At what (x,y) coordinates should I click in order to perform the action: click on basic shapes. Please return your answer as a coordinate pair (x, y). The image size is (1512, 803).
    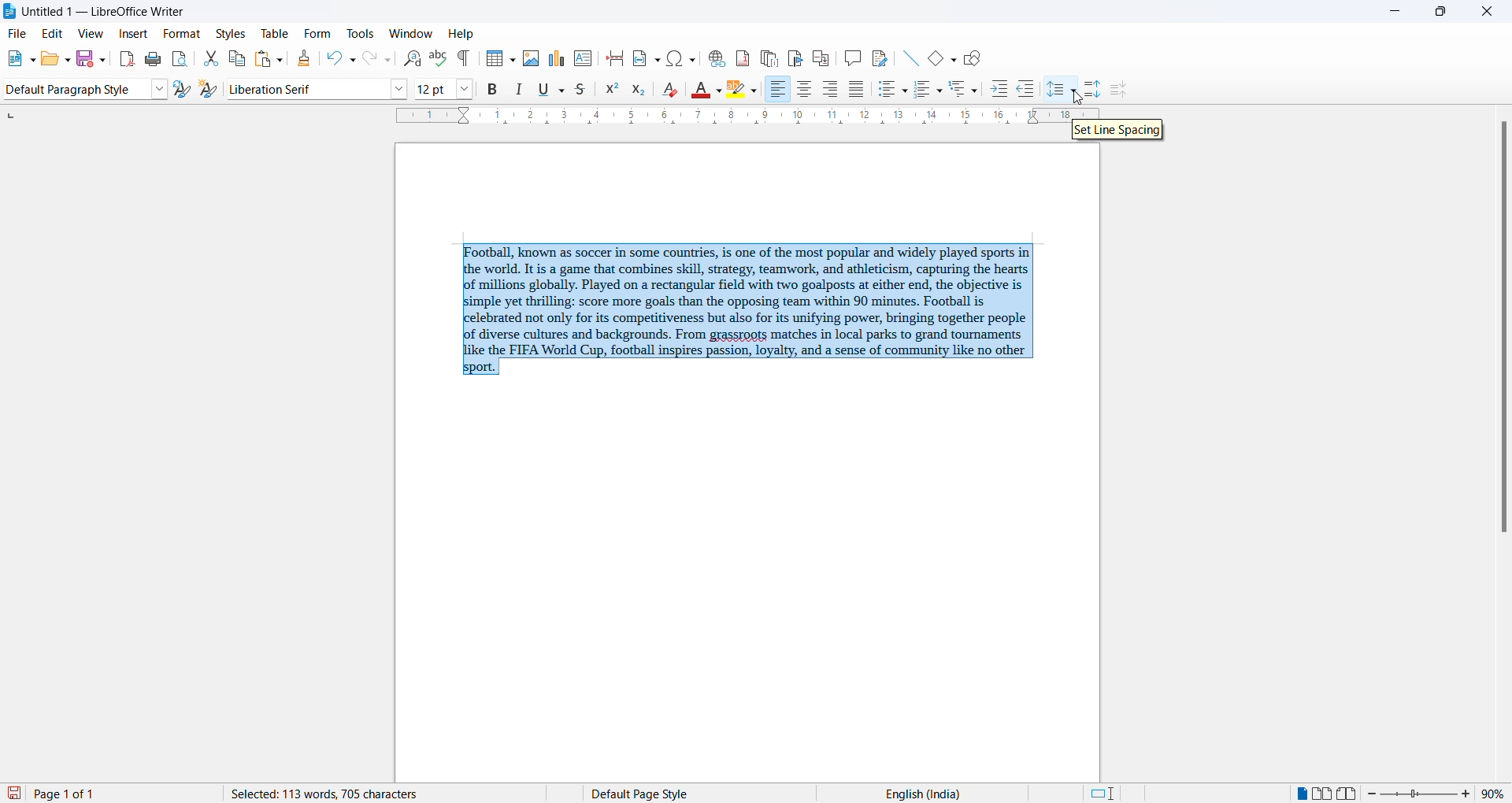
    Looking at the image, I should click on (932, 60).